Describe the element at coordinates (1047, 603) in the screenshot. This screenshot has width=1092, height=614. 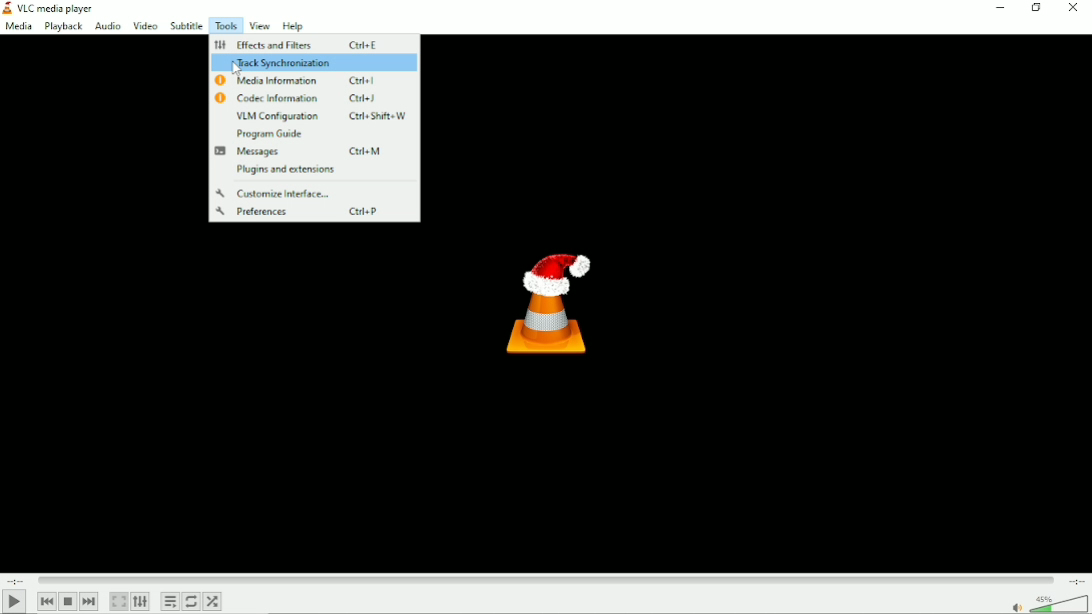
I see `Volume` at that location.